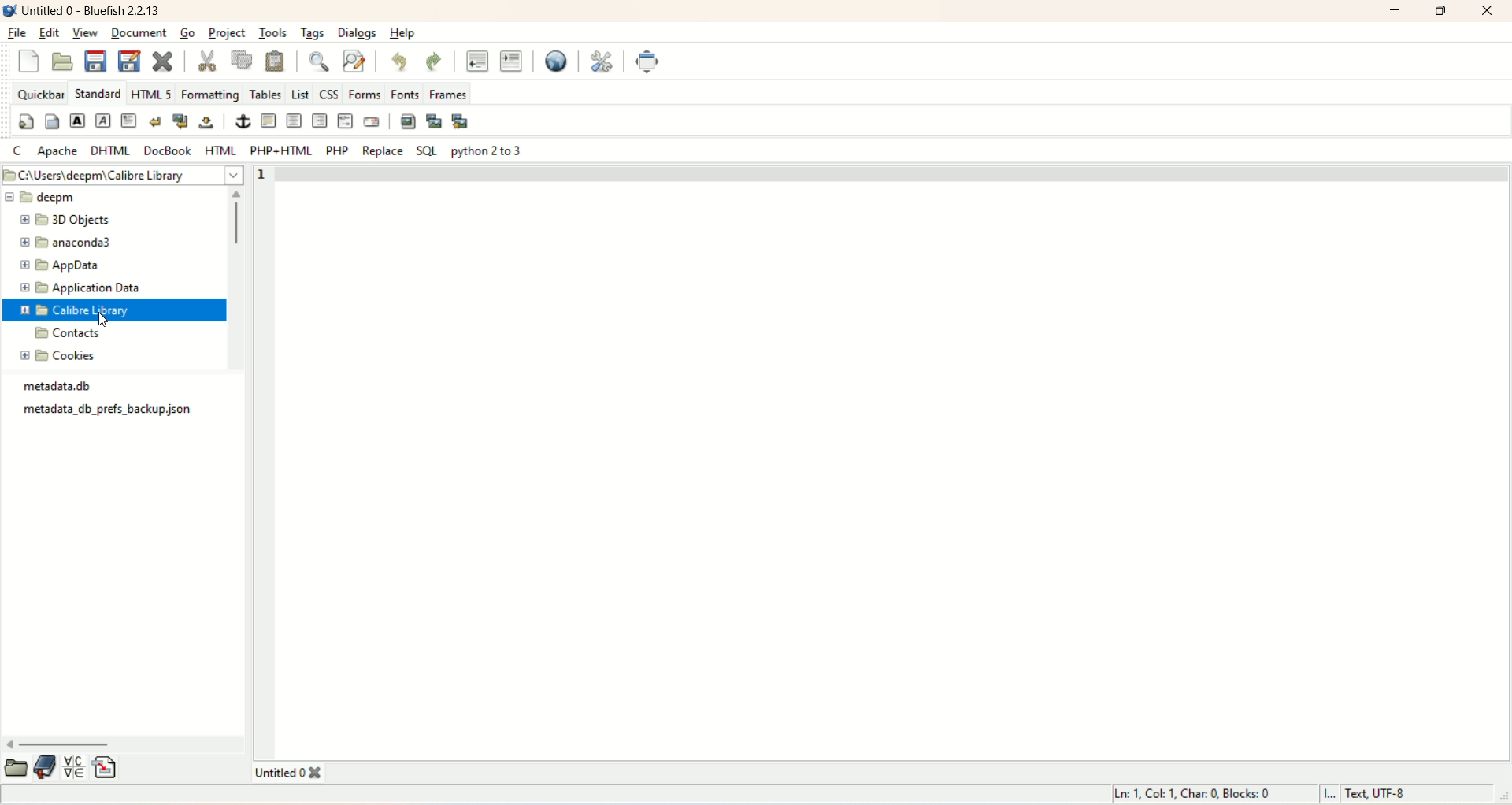 Image resolution: width=1512 pixels, height=805 pixels. I want to click on SQL, so click(424, 150).